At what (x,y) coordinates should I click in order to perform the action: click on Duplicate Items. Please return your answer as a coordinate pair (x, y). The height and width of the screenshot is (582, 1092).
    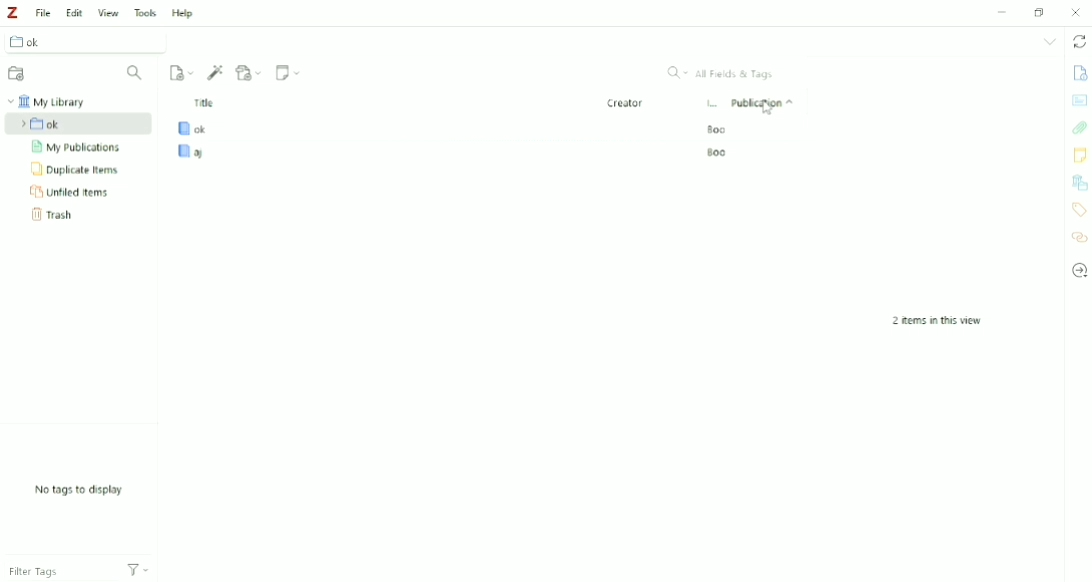
    Looking at the image, I should click on (77, 170).